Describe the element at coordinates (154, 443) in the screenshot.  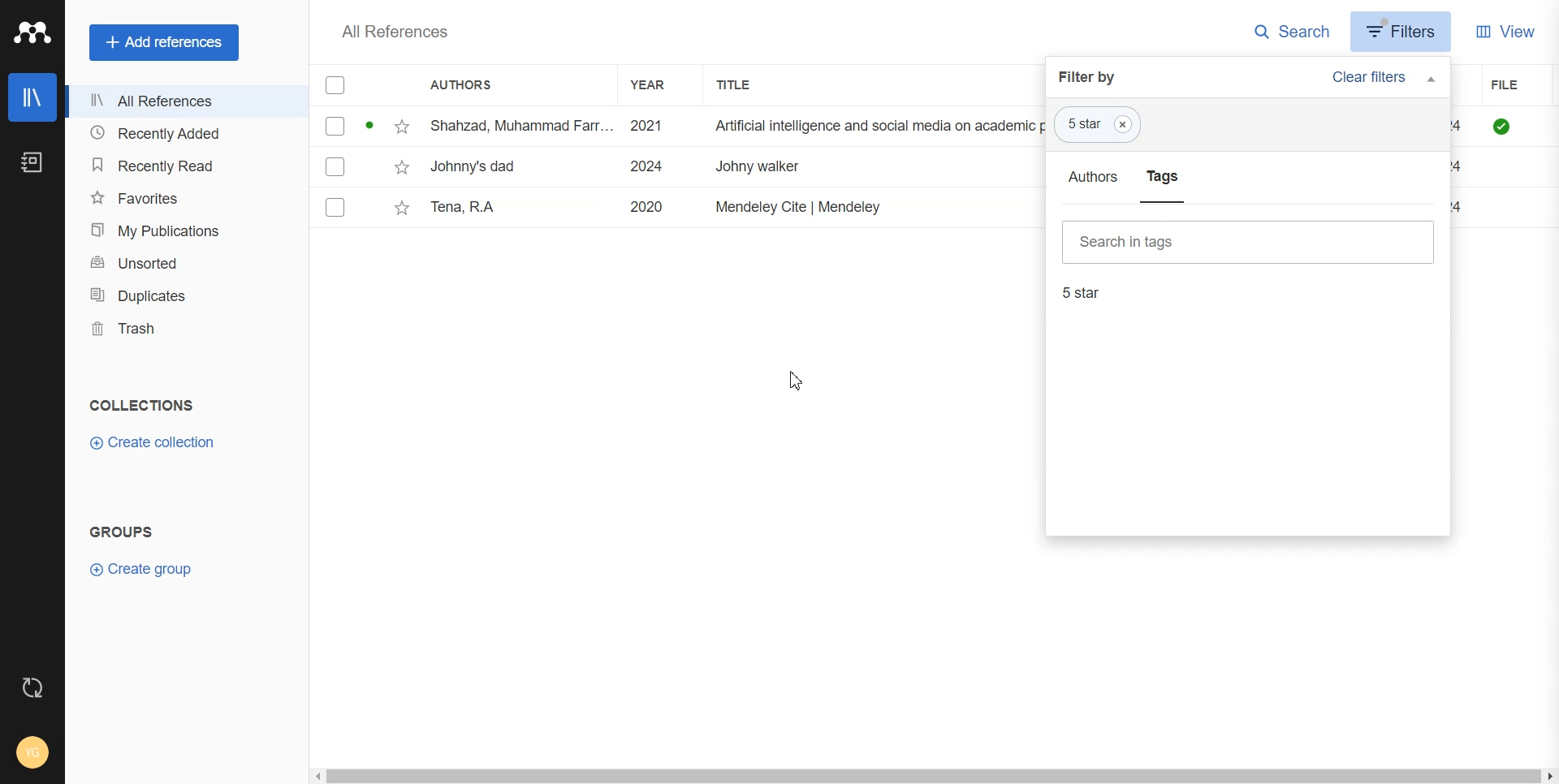
I see `Create Collection` at that location.